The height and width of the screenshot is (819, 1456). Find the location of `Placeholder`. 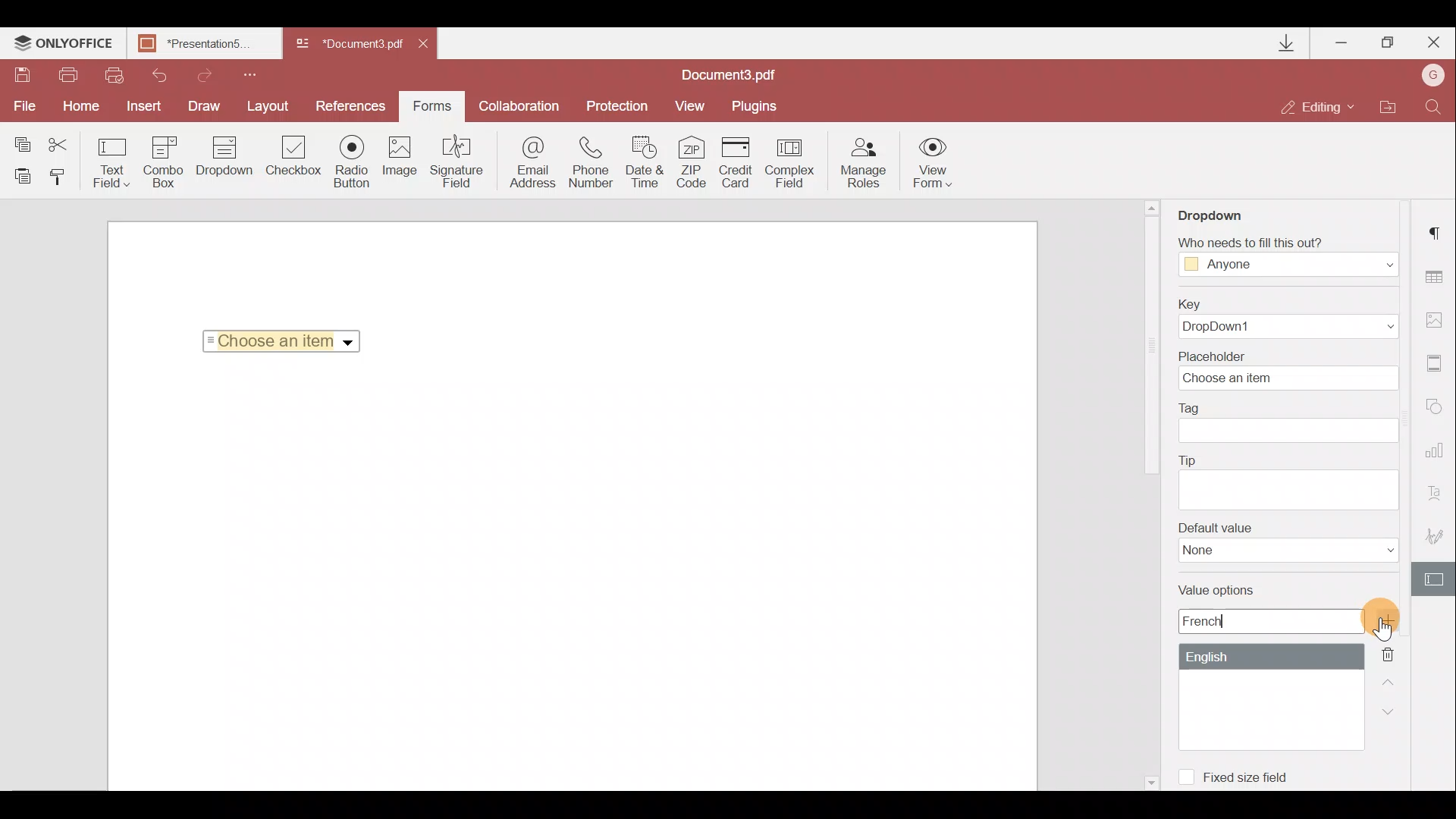

Placeholder is located at coordinates (1293, 369).